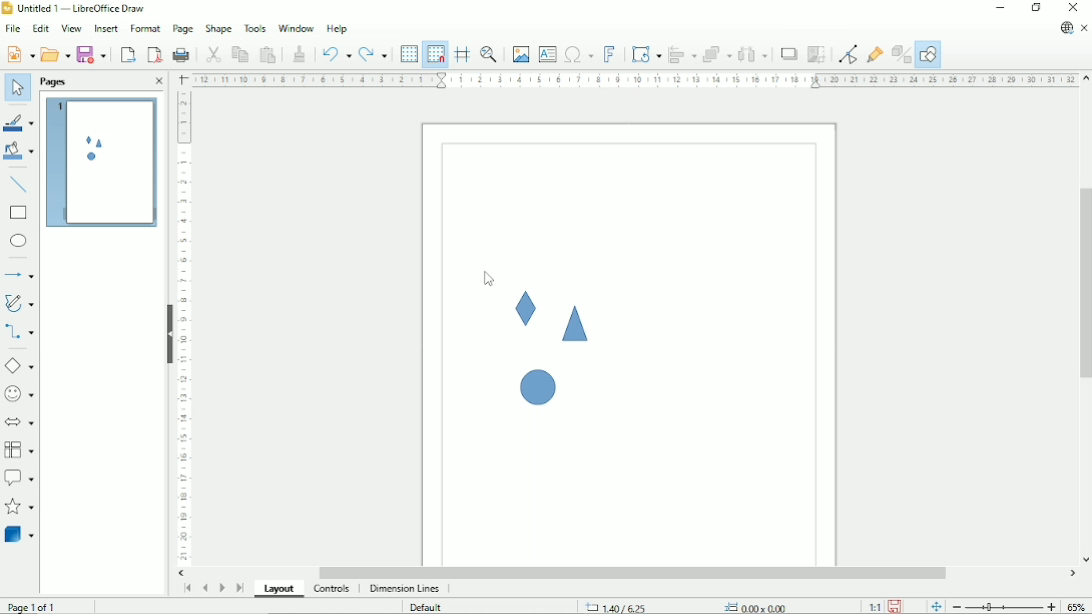 The image size is (1092, 614). Describe the element at coordinates (240, 588) in the screenshot. I see `Scroll to last page` at that location.